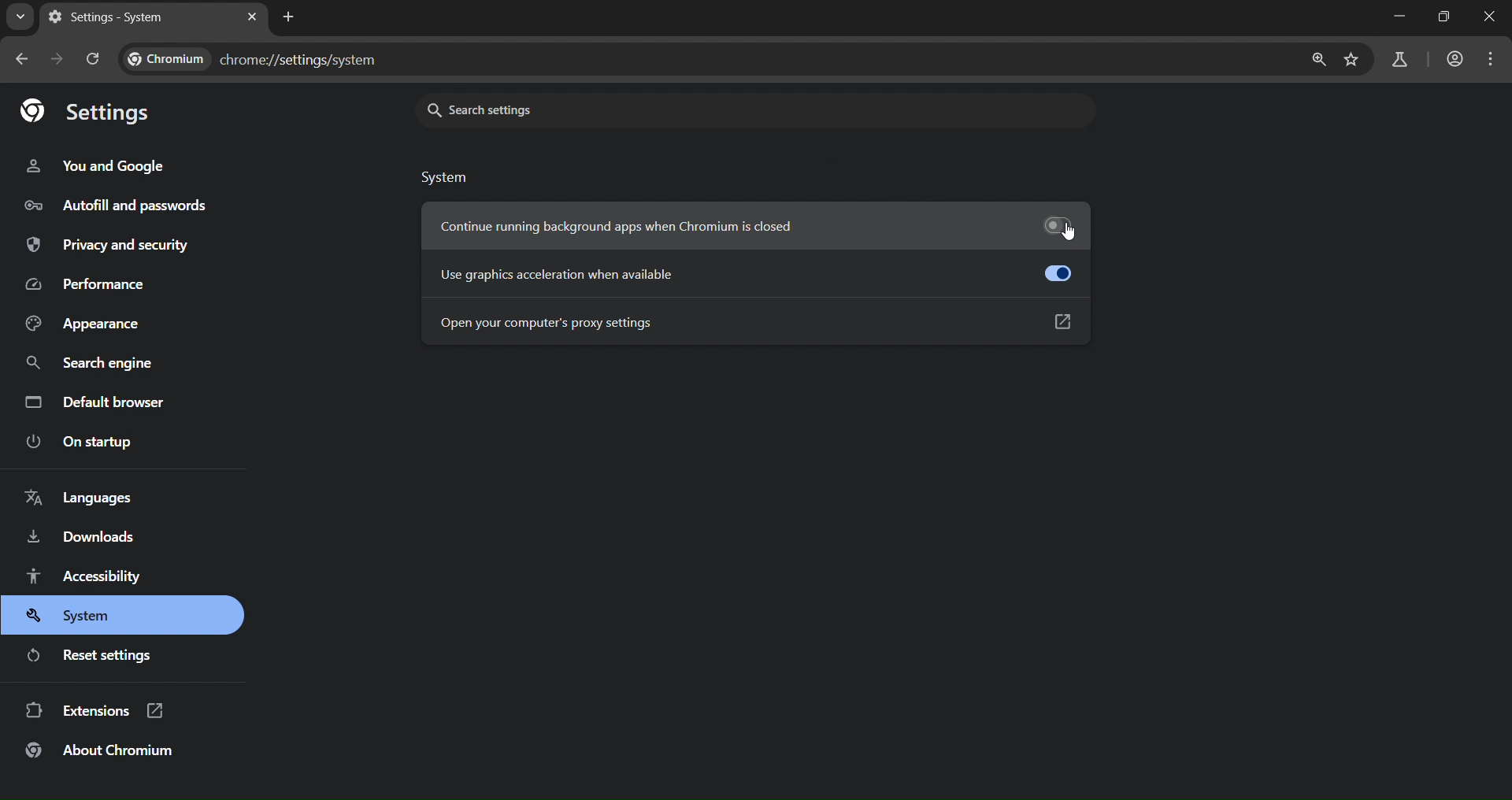 The width and height of the screenshot is (1512, 800). What do you see at coordinates (1495, 59) in the screenshot?
I see `menu` at bounding box center [1495, 59].